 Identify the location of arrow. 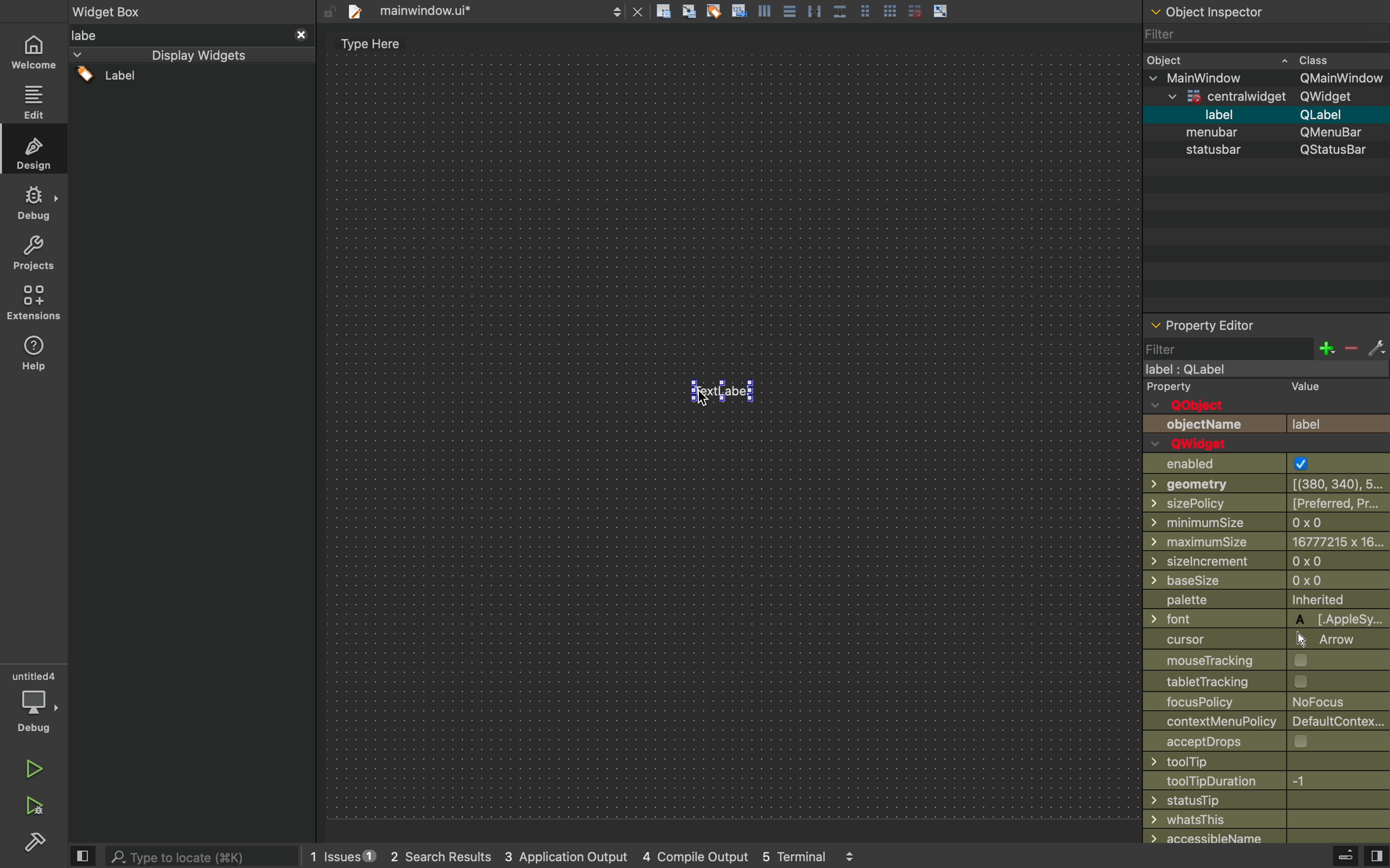
(942, 10).